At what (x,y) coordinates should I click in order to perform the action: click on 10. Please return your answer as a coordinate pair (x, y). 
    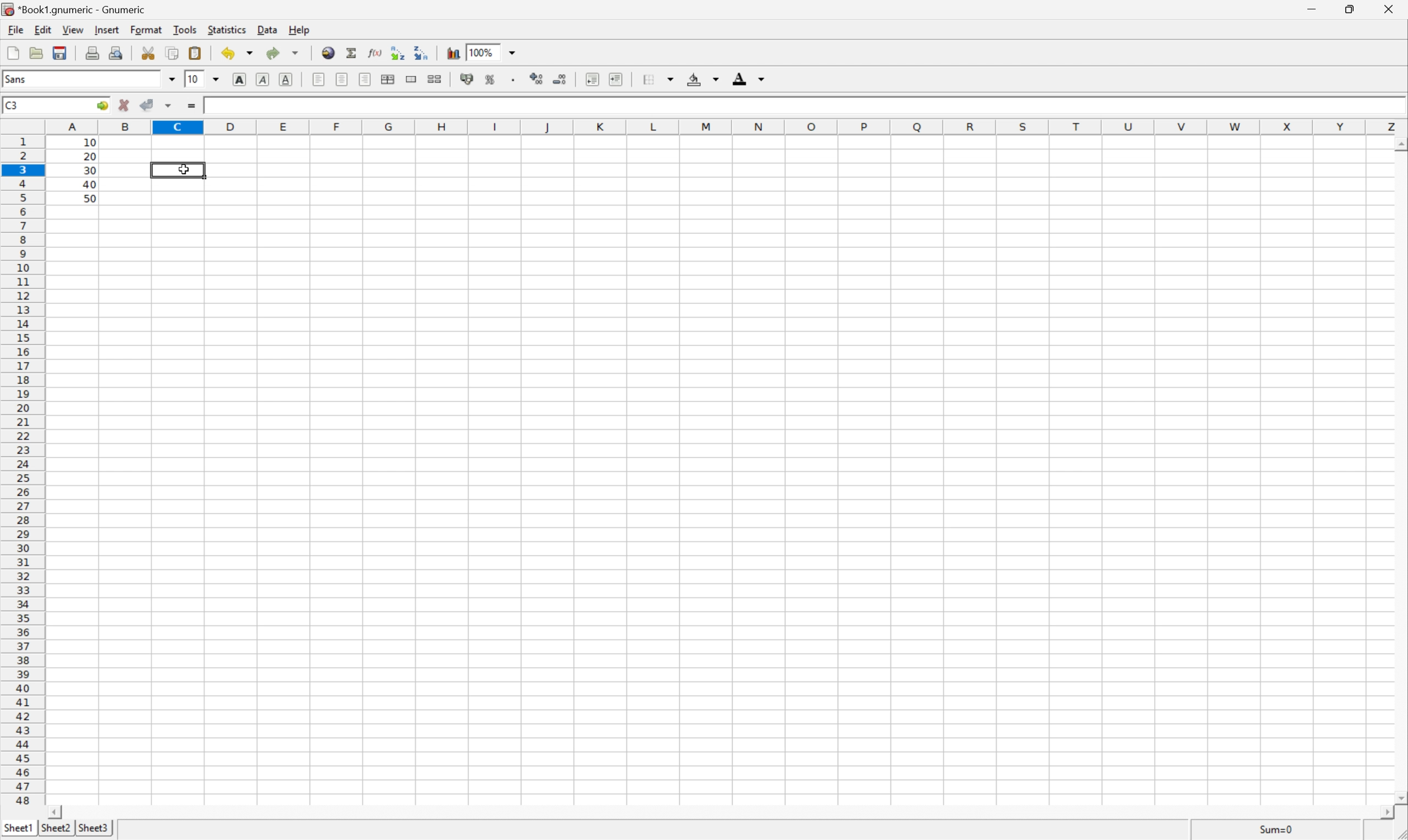
    Looking at the image, I should click on (191, 79).